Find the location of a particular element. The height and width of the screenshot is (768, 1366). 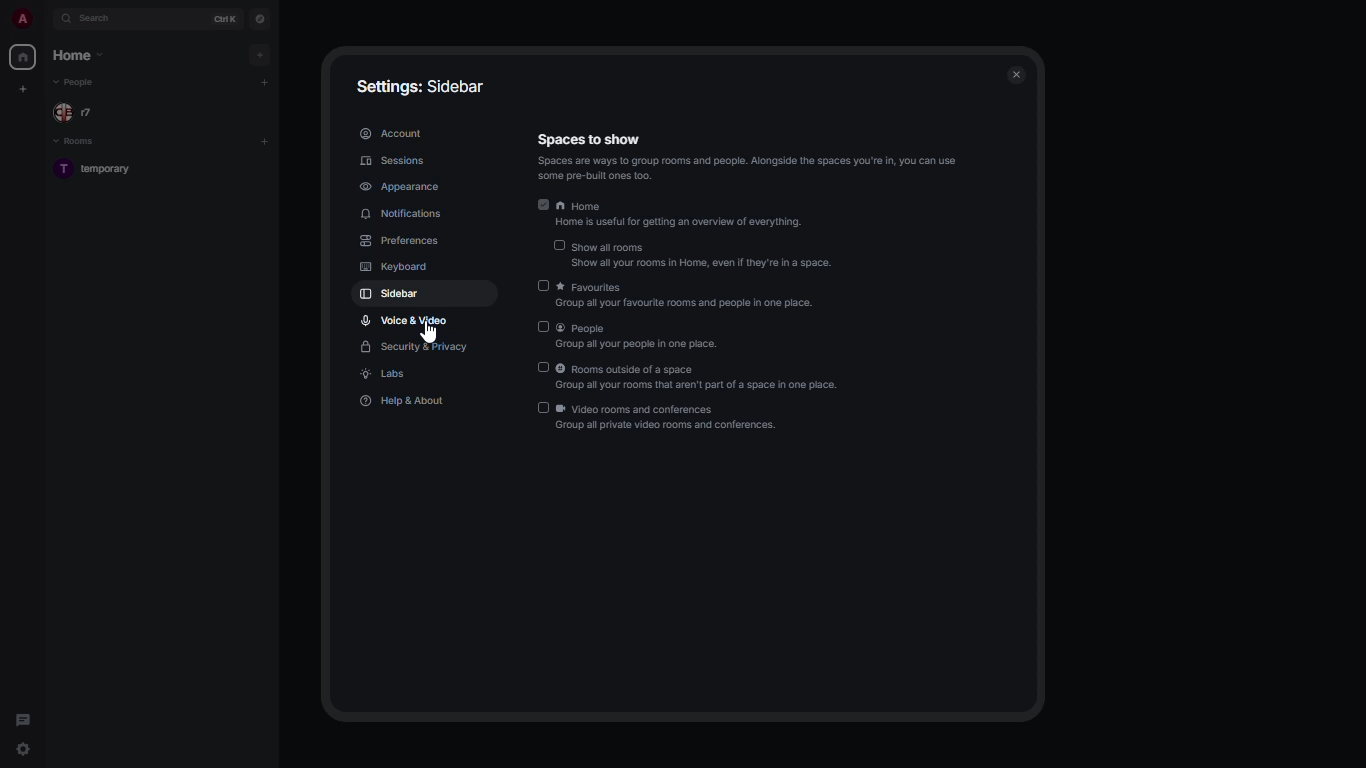

spaces to show is located at coordinates (746, 154).